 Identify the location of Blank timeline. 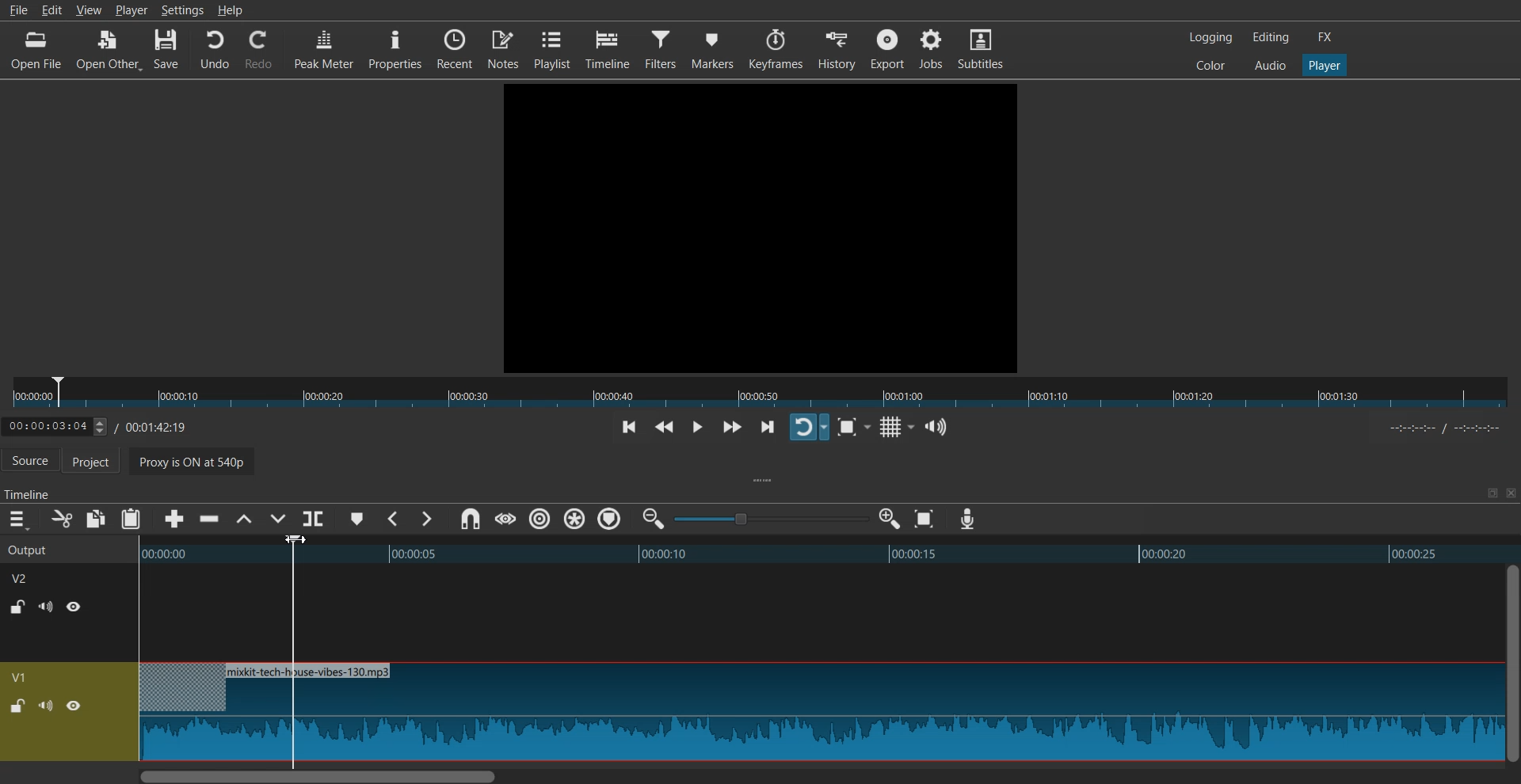
(818, 613).